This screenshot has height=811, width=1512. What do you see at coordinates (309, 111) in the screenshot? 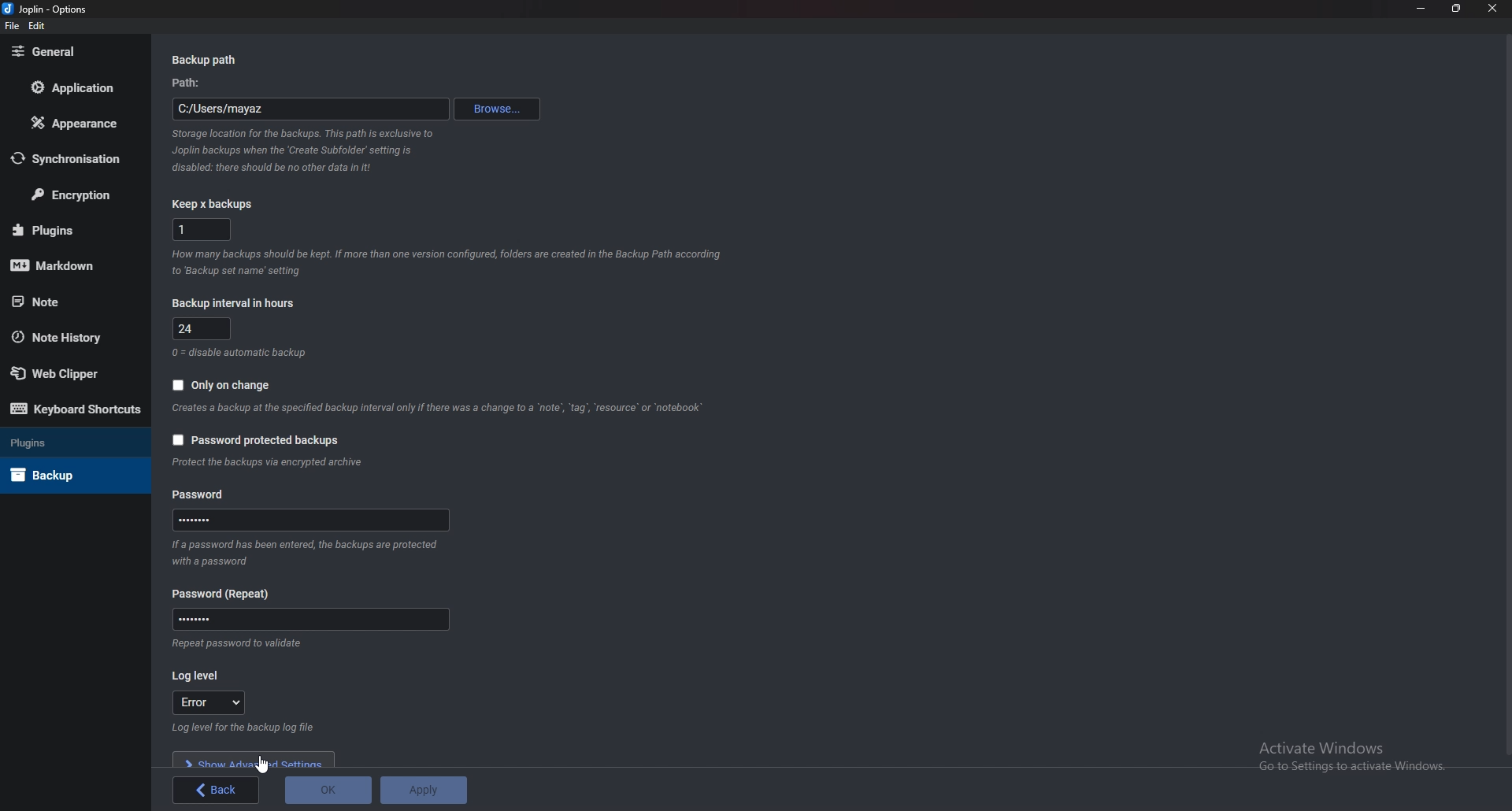
I see `path` at bounding box center [309, 111].